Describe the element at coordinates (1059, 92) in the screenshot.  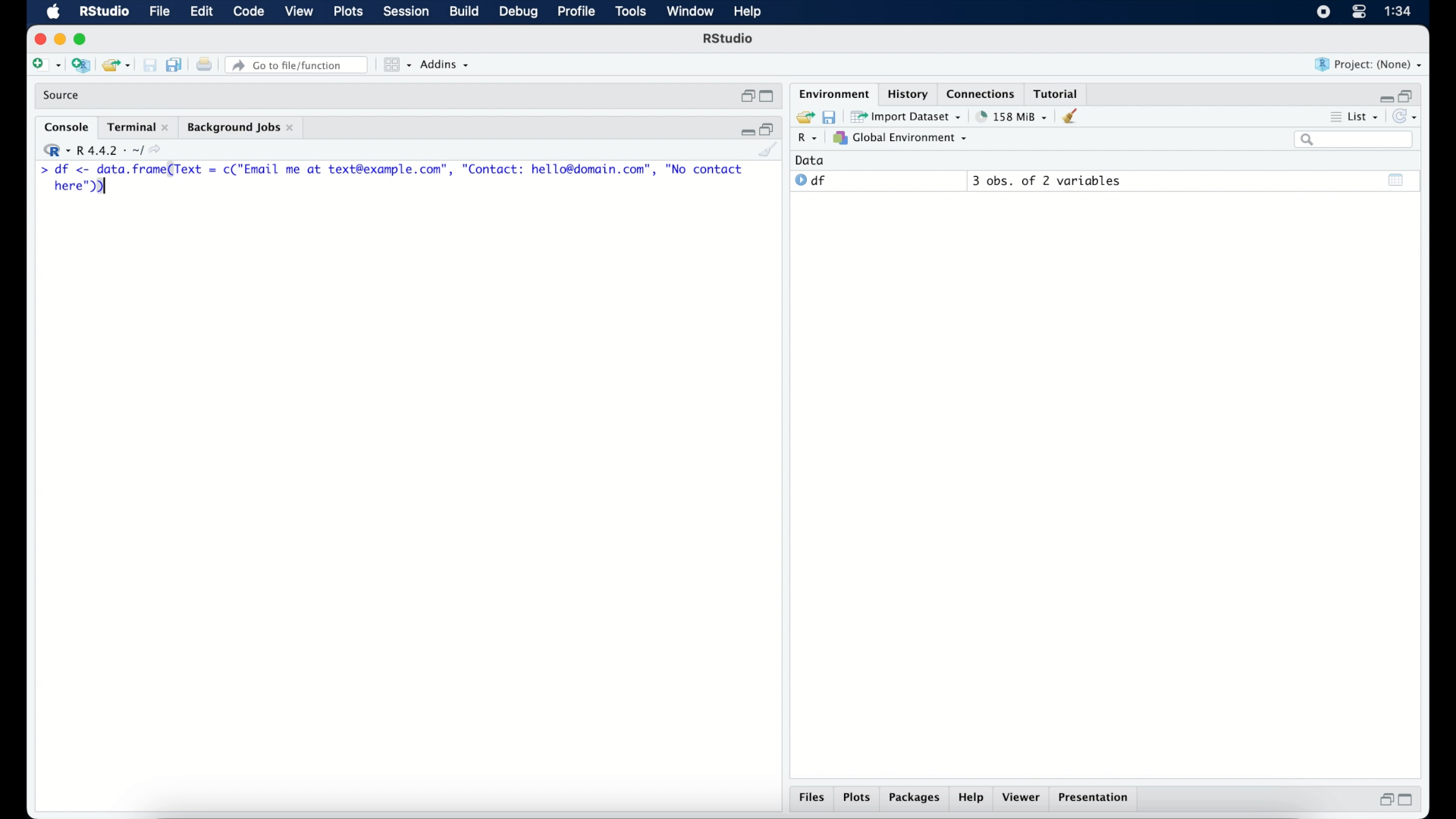
I see `tutorial` at that location.